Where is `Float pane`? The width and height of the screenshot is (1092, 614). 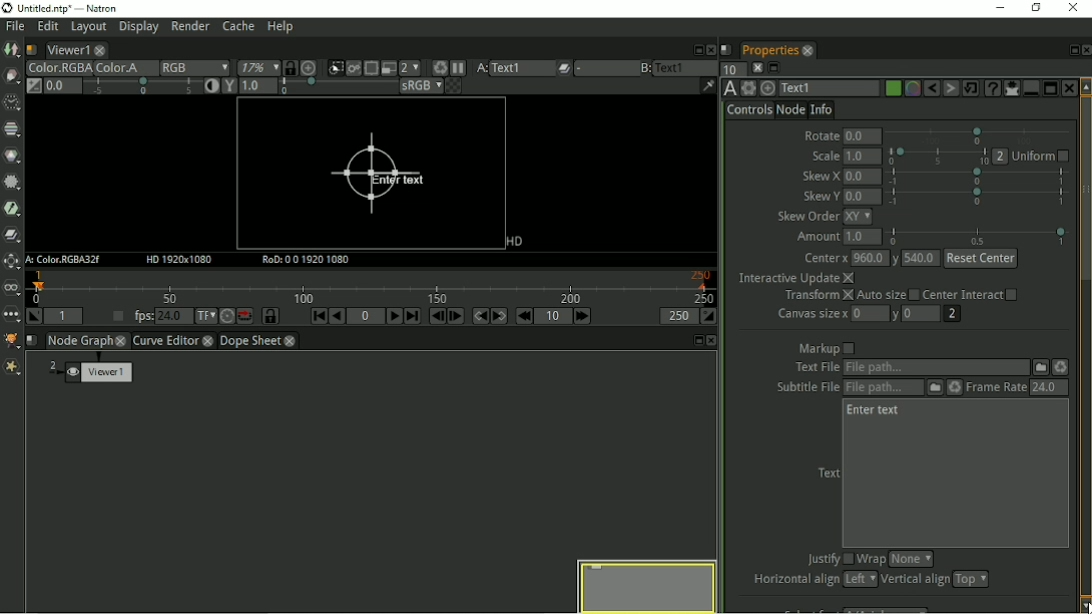 Float pane is located at coordinates (1070, 50).